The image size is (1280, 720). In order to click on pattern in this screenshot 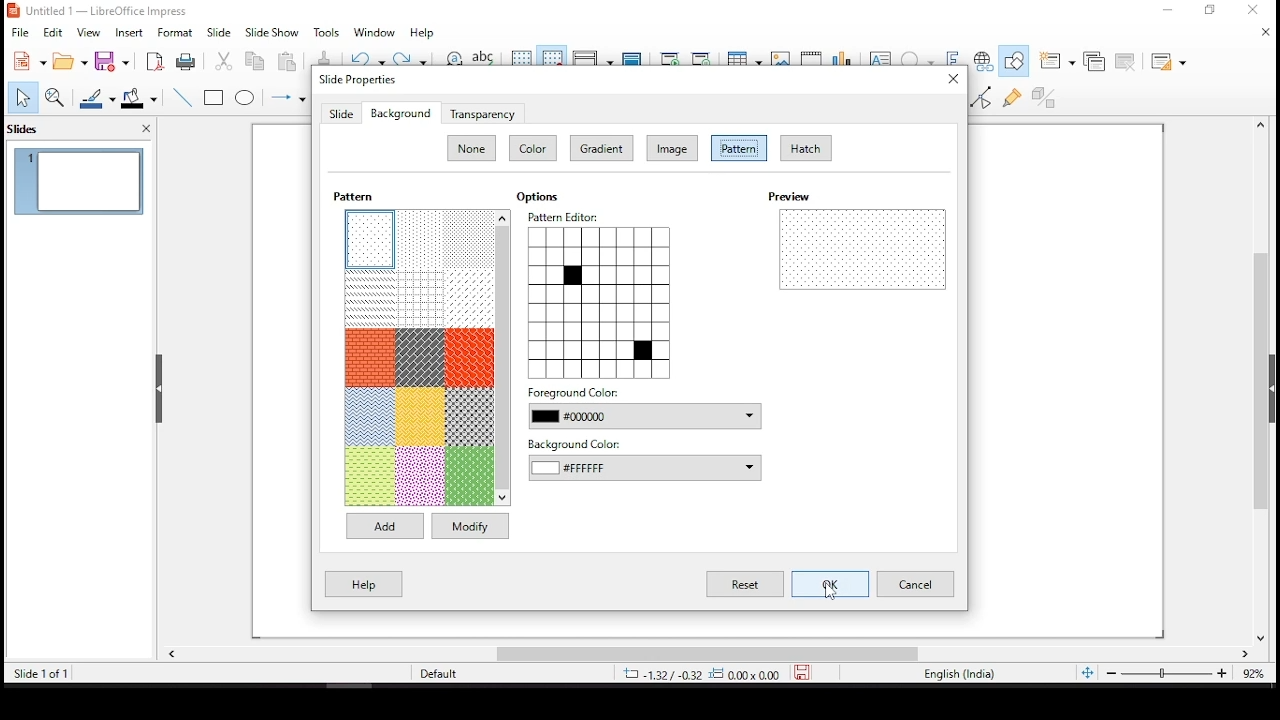, I will do `click(420, 239)`.